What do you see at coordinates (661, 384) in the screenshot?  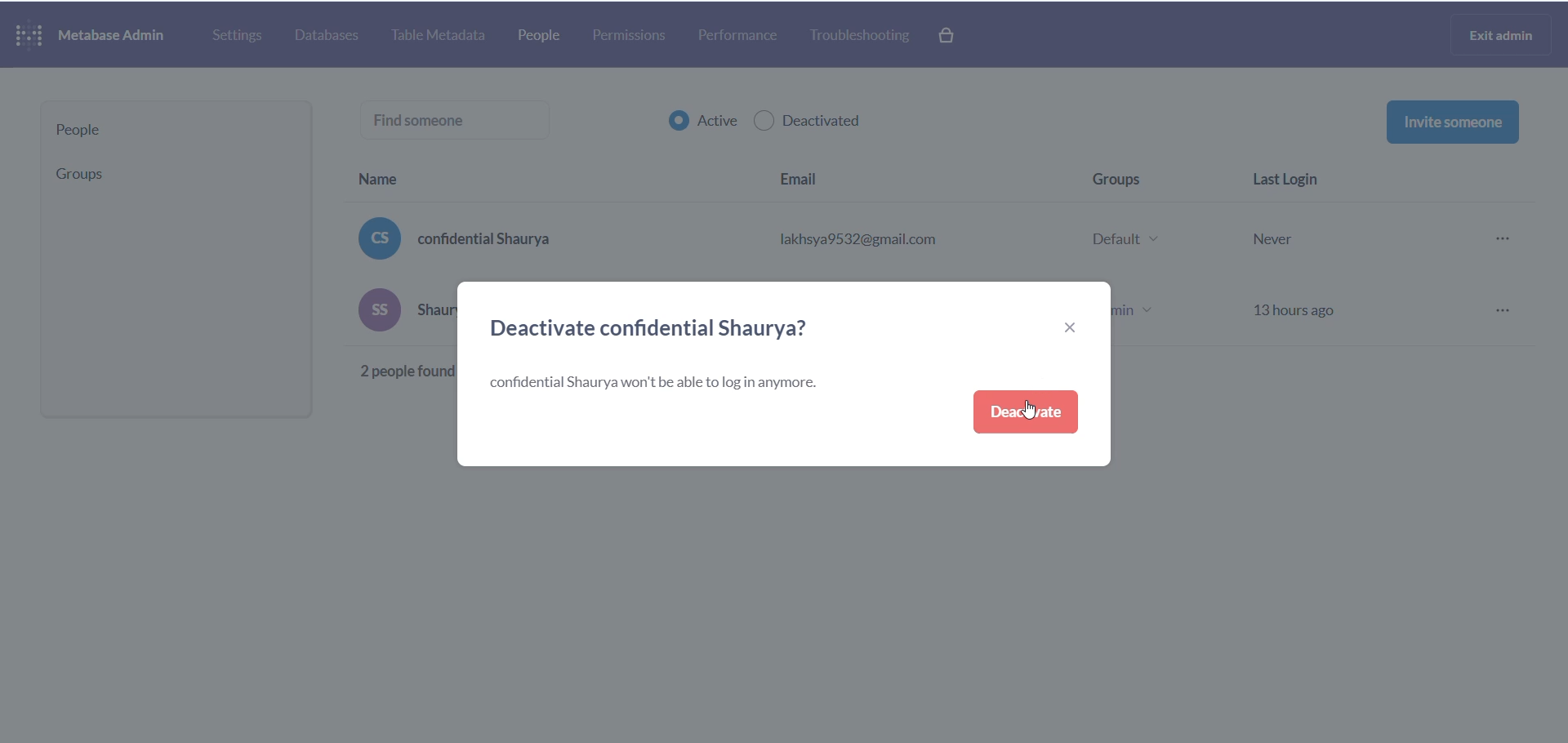 I see `text` at bounding box center [661, 384].